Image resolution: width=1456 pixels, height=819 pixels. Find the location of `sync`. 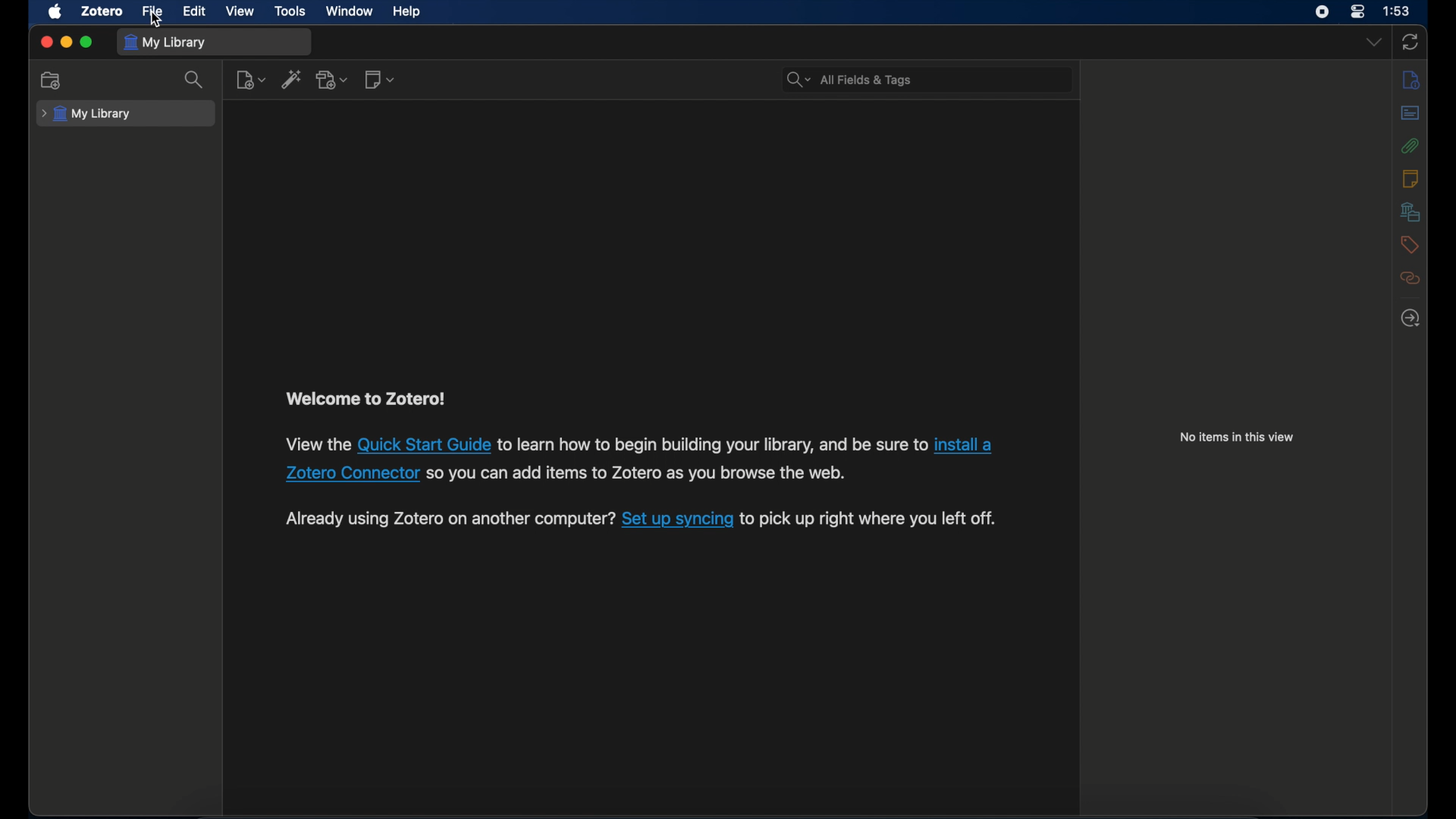

sync is located at coordinates (1412, 42).